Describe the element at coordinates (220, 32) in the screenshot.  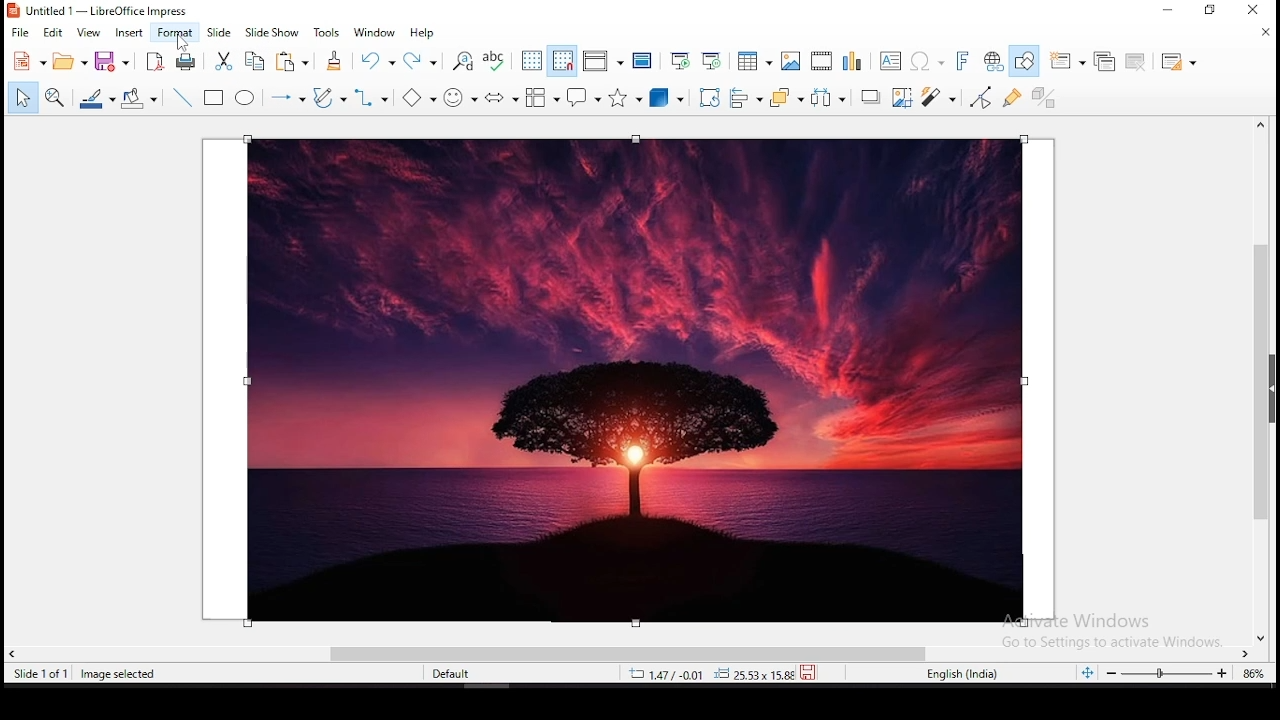
I see `slide` at that location.